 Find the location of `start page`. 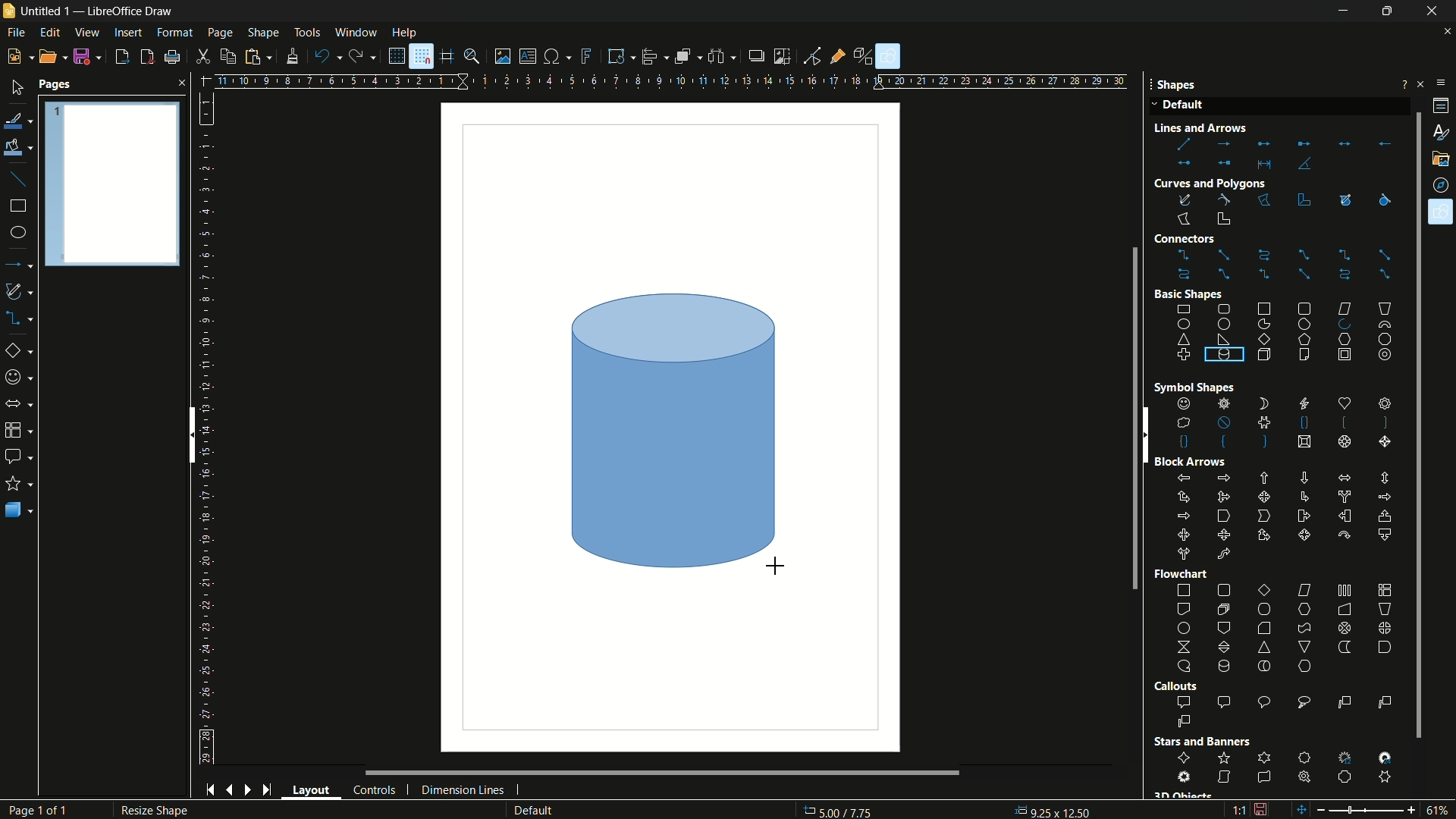

start page is located at coordinates (209, 789).